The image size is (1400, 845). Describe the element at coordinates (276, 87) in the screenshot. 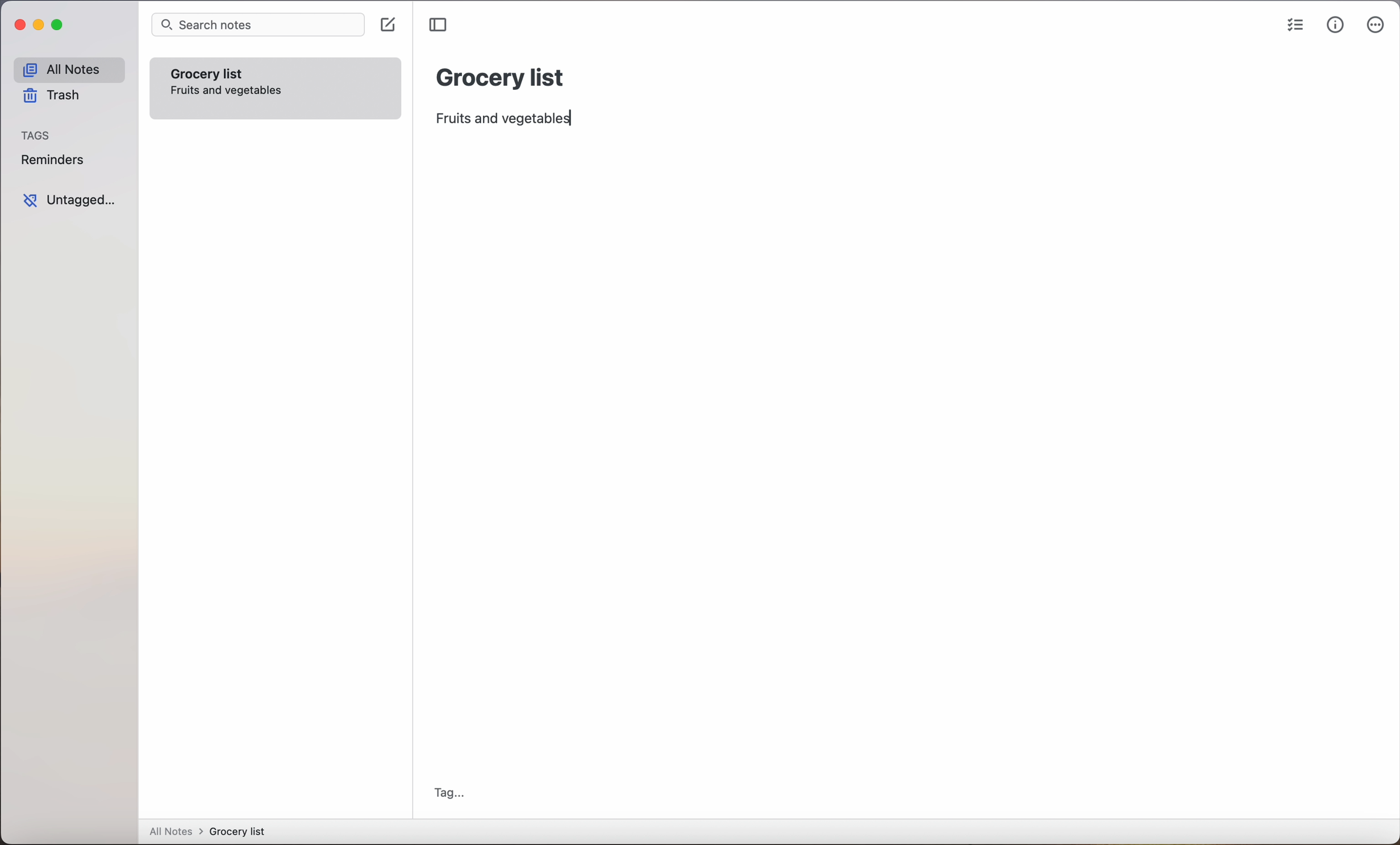

I see `grocery list note fruits and vegetables` at that location.